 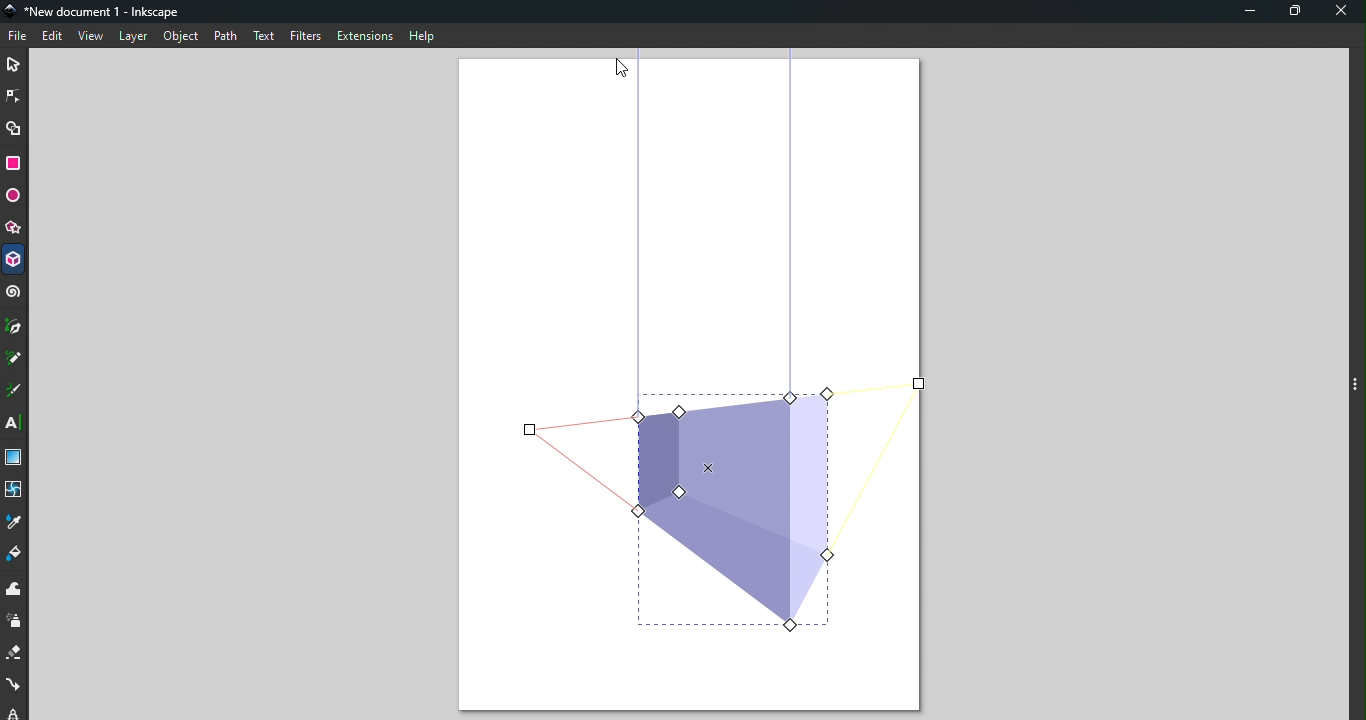 I want to click on Node tool, so click(x=14, y=98).